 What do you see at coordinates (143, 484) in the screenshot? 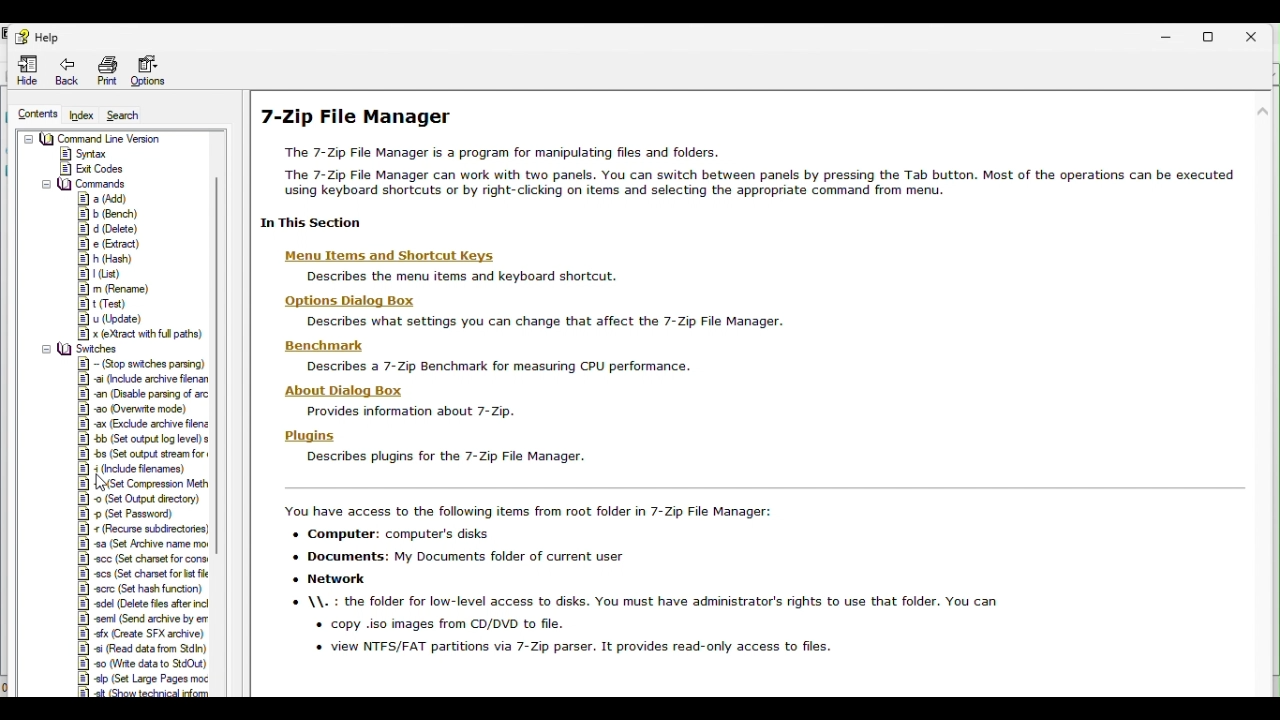
I see `Set compression method` at bounding box center [143, 484].